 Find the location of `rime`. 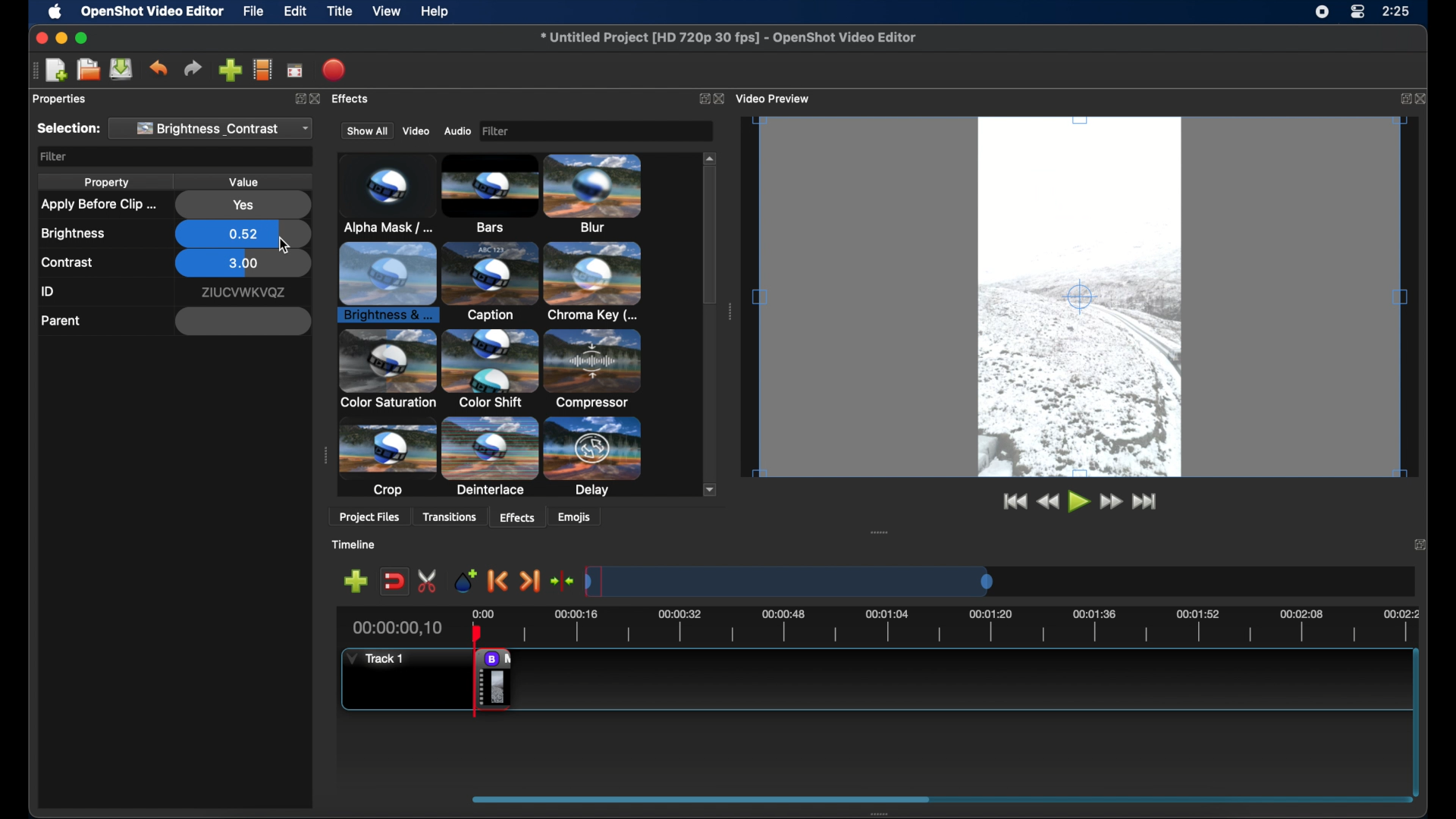

rime is located at coordinates (1397, 13).